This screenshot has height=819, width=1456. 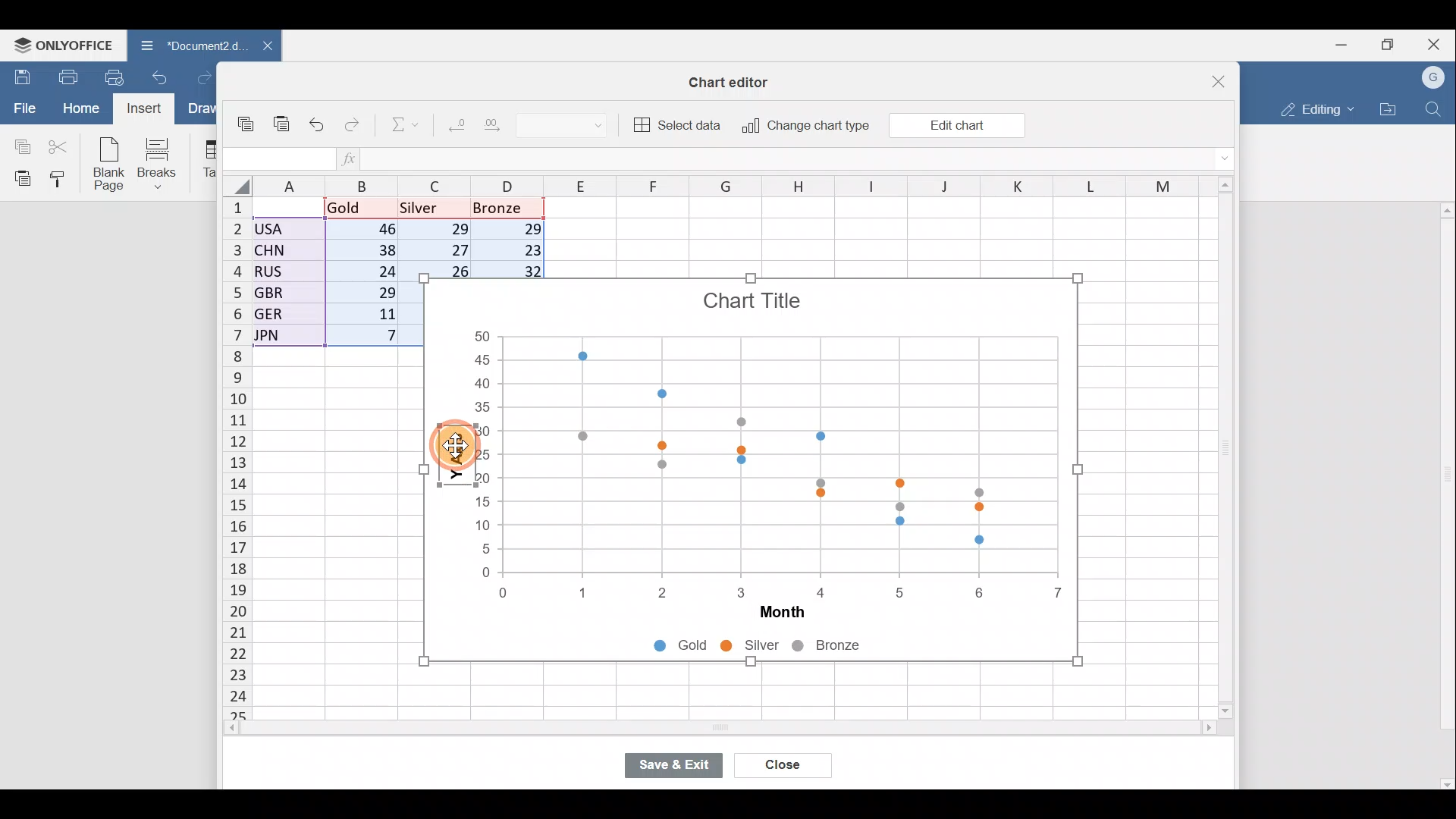 I want to click on Document2.d, so click(x=185, y=45).